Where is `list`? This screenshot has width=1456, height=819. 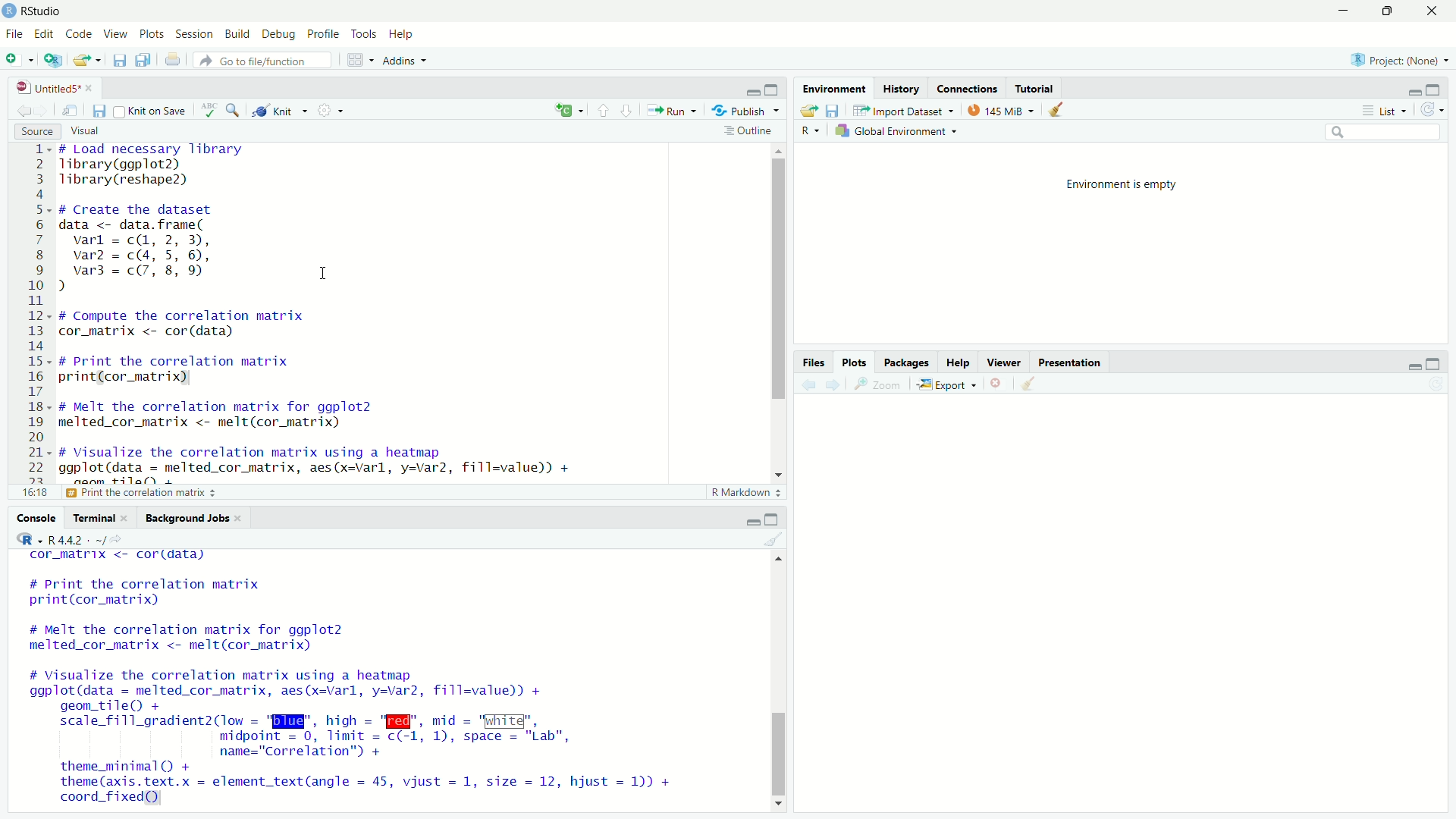 list is located at coordinates (1385, 110).